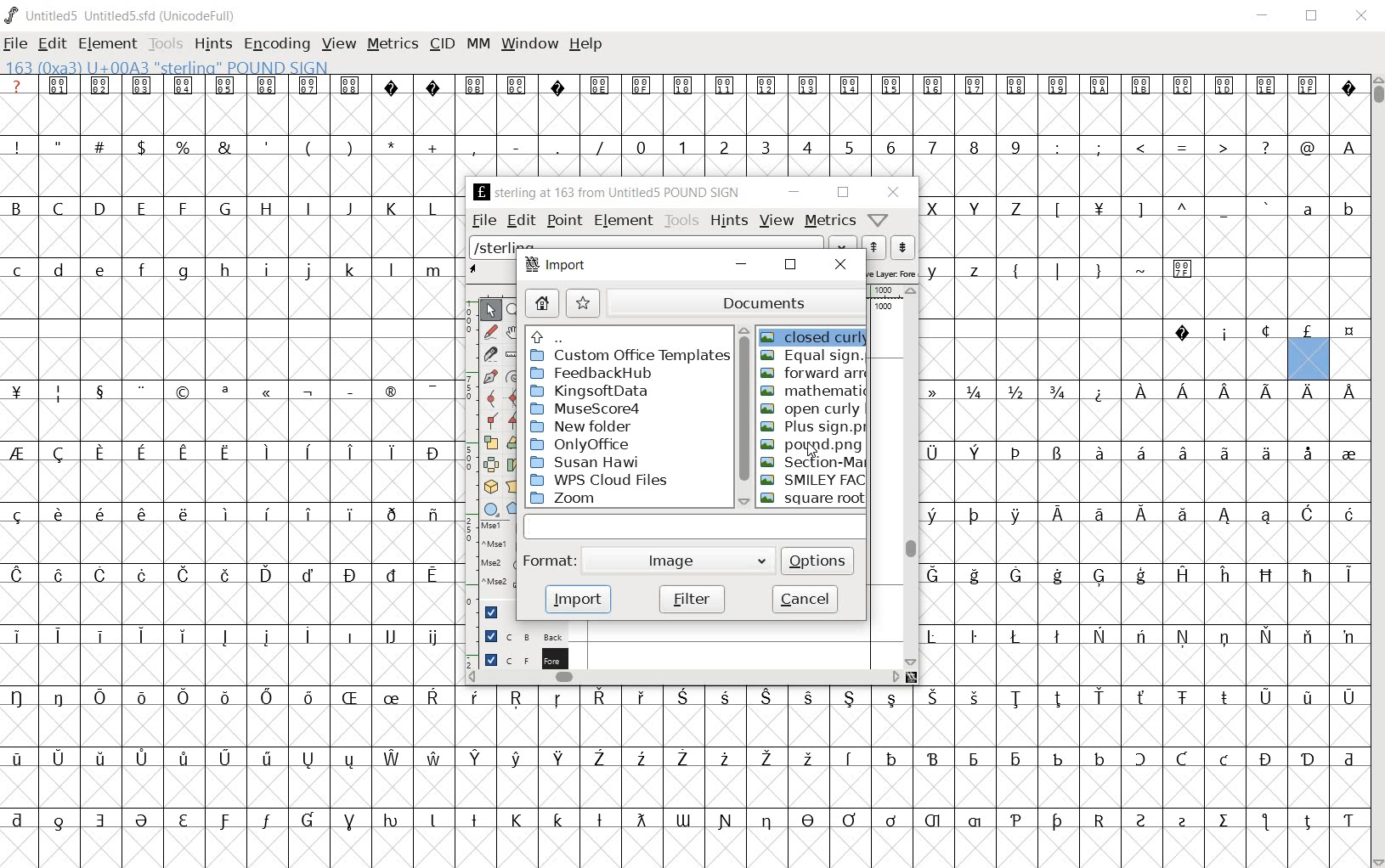 The height and width of the screenshot is (868, 1385). Describe the element at coordinates (973, 515) in the screenshot. I see `Symbol` at that location.